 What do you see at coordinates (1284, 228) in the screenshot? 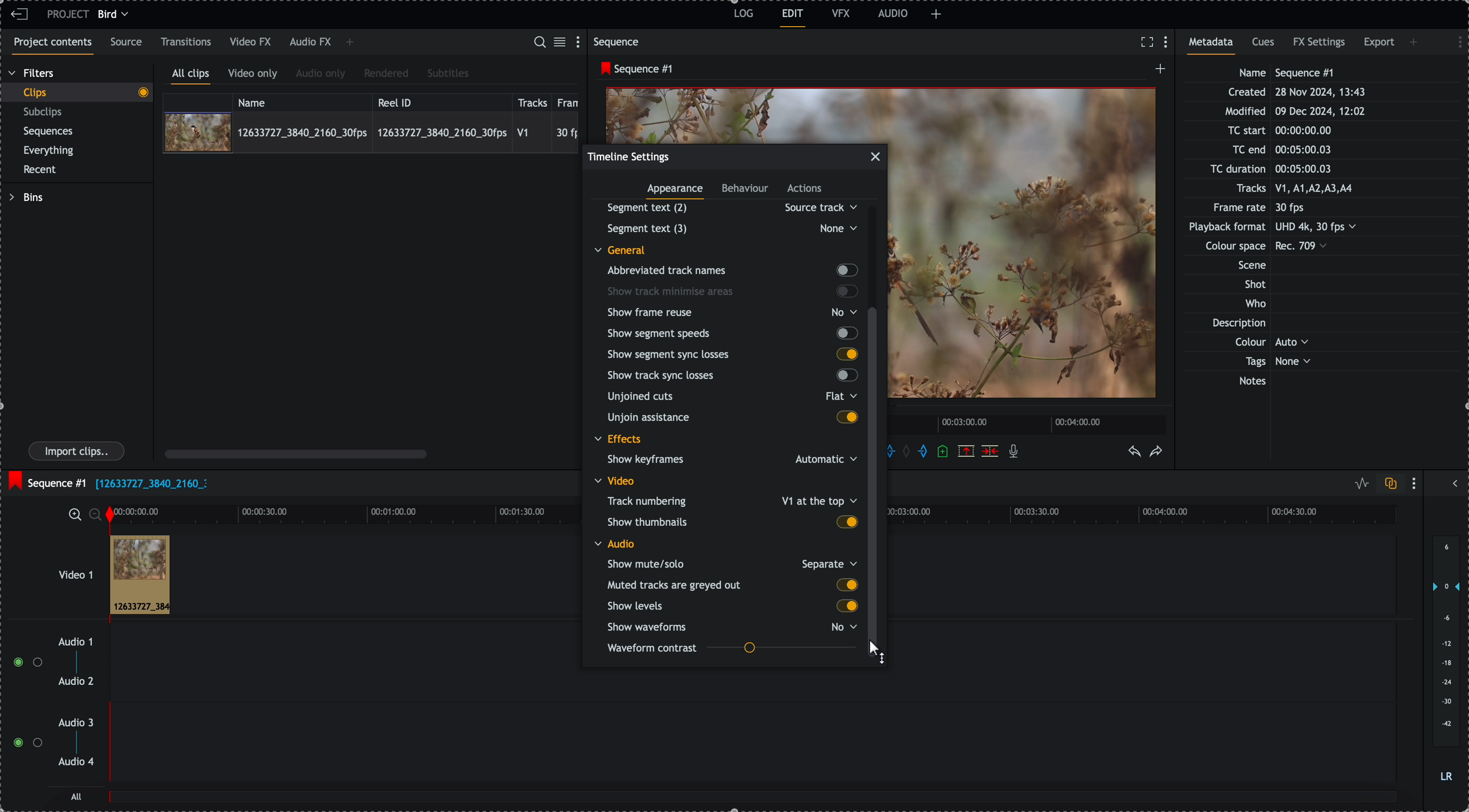
I see `metadata` at bounding box center [1284, 228].